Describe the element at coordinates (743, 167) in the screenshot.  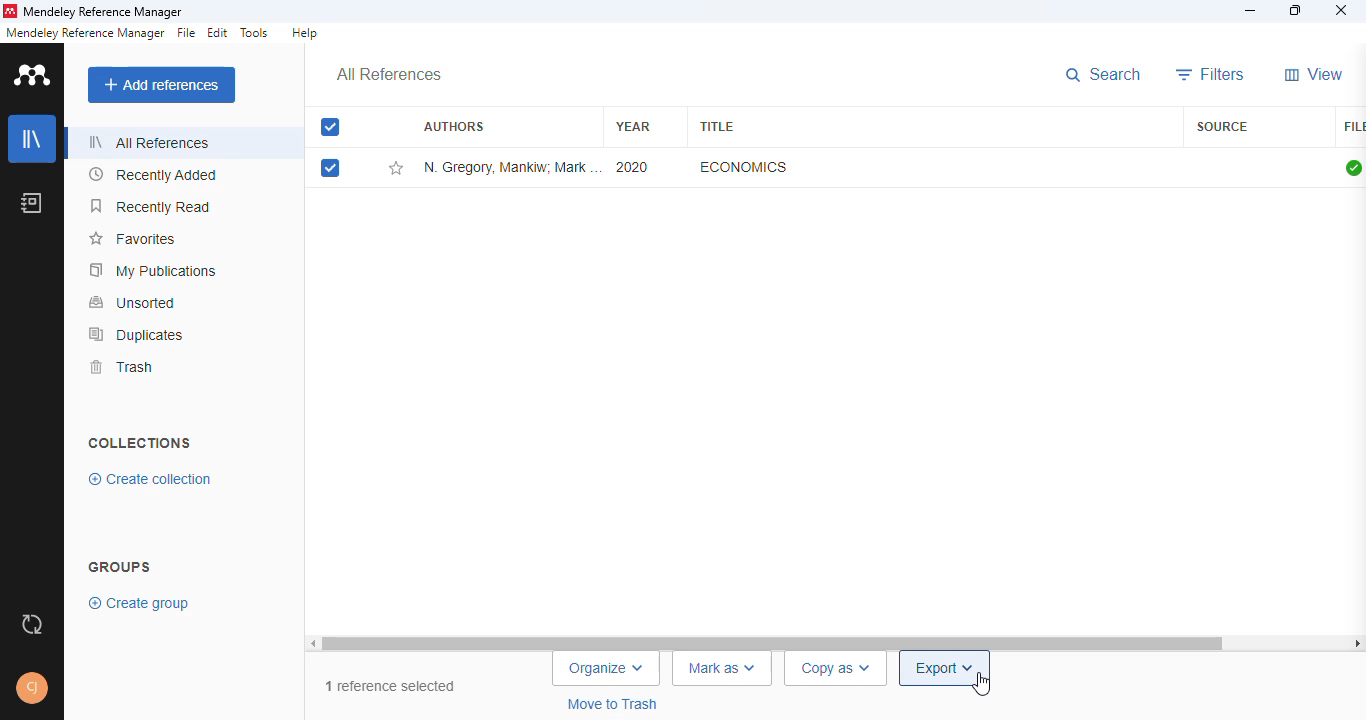
I see `economics` at that location.